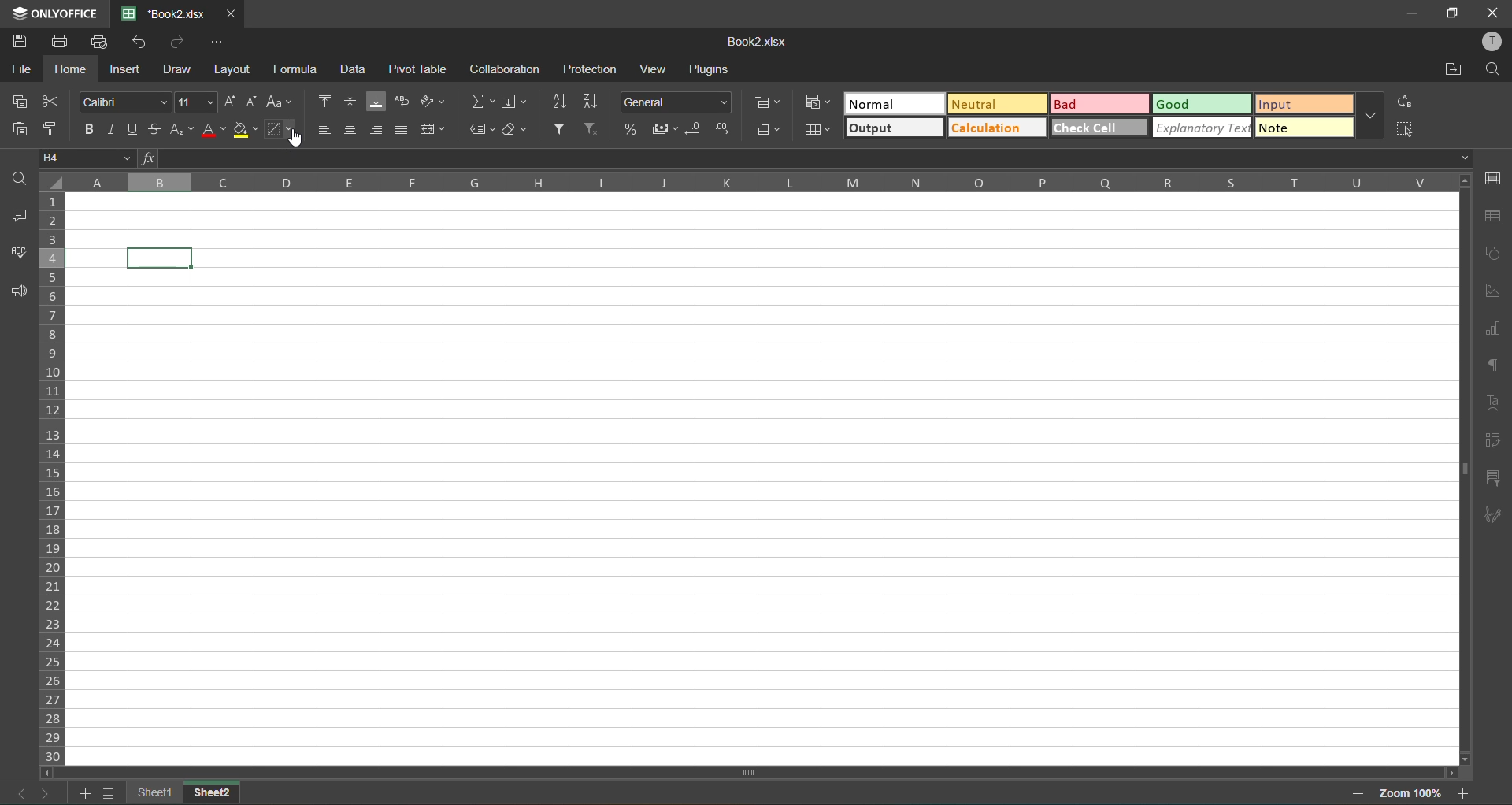 This screenshot has height=805, width=1512. Describe the element at coordinates (699, 132) in the screenshot. I see `decrease decimal` at that location.